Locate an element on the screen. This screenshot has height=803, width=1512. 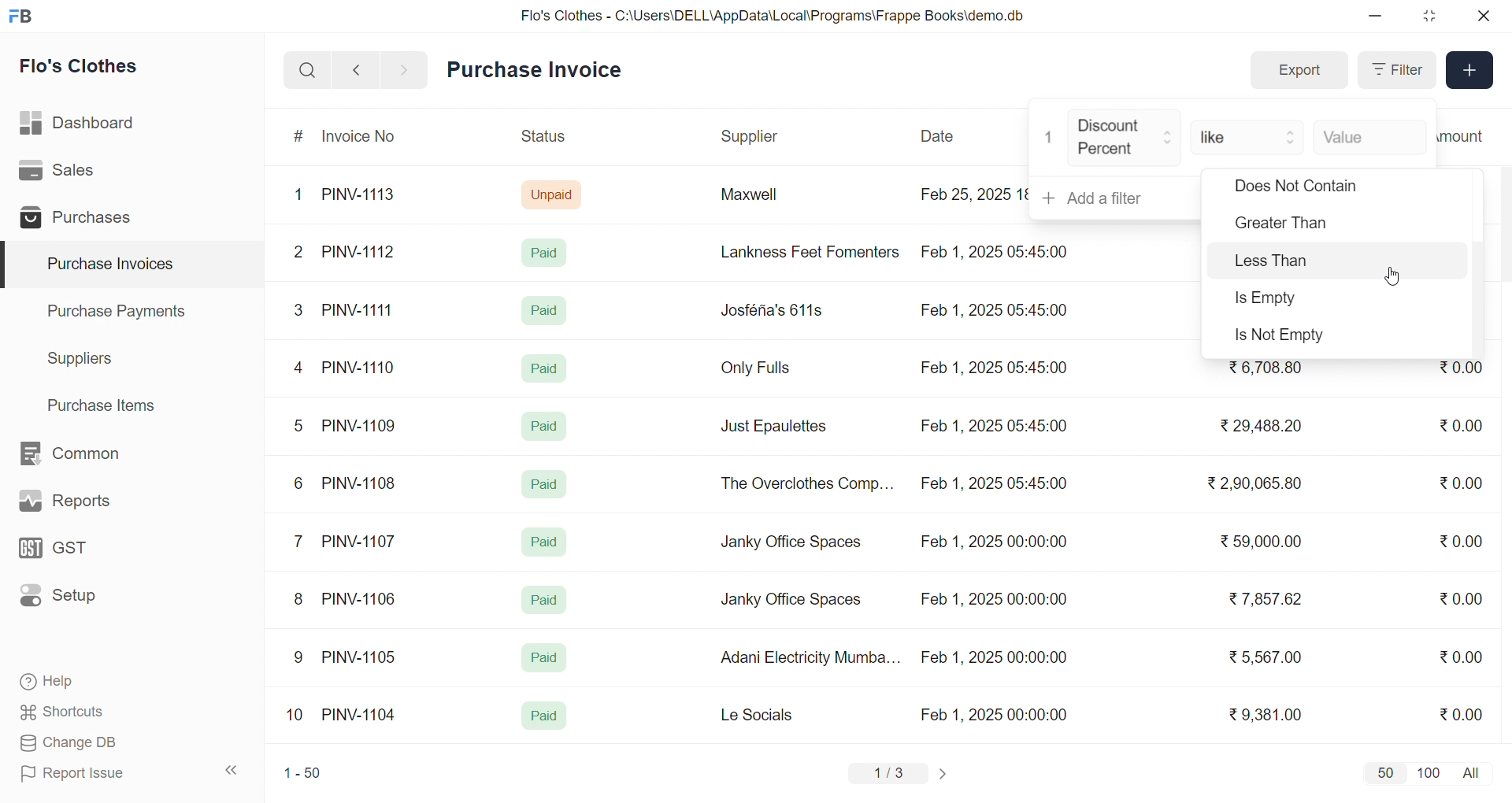
logo is located at coordinates (24, 17).